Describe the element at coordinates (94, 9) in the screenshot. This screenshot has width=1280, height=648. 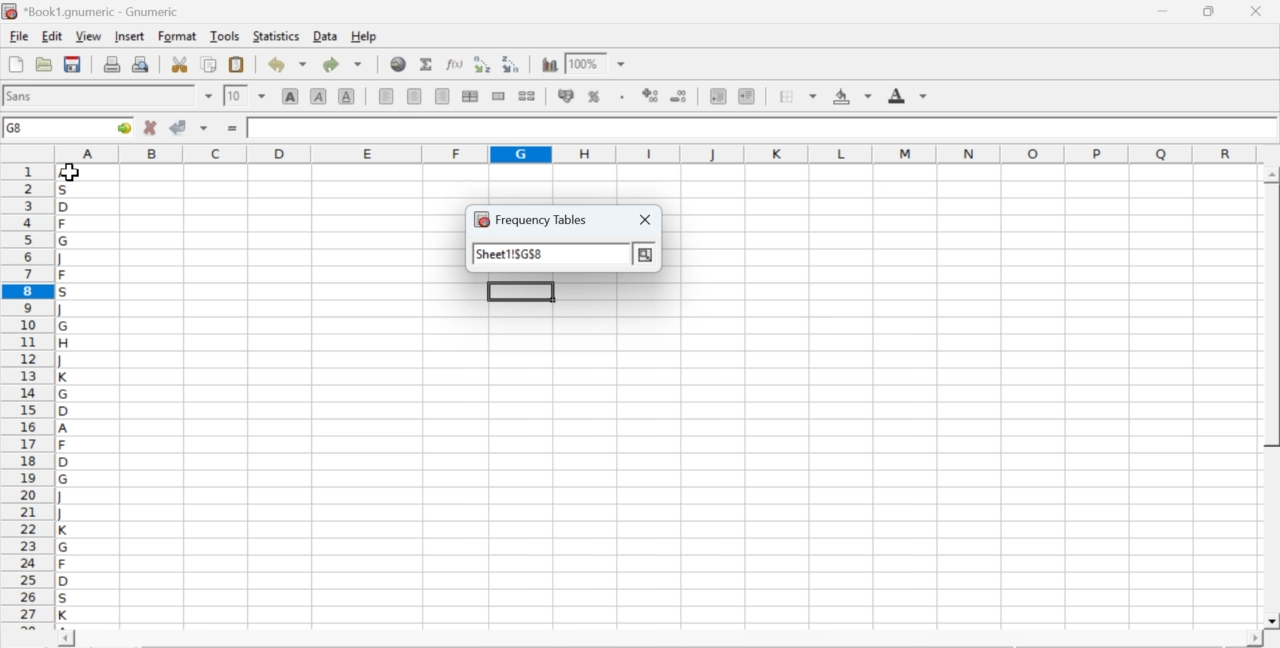
I see `application name` at that location.